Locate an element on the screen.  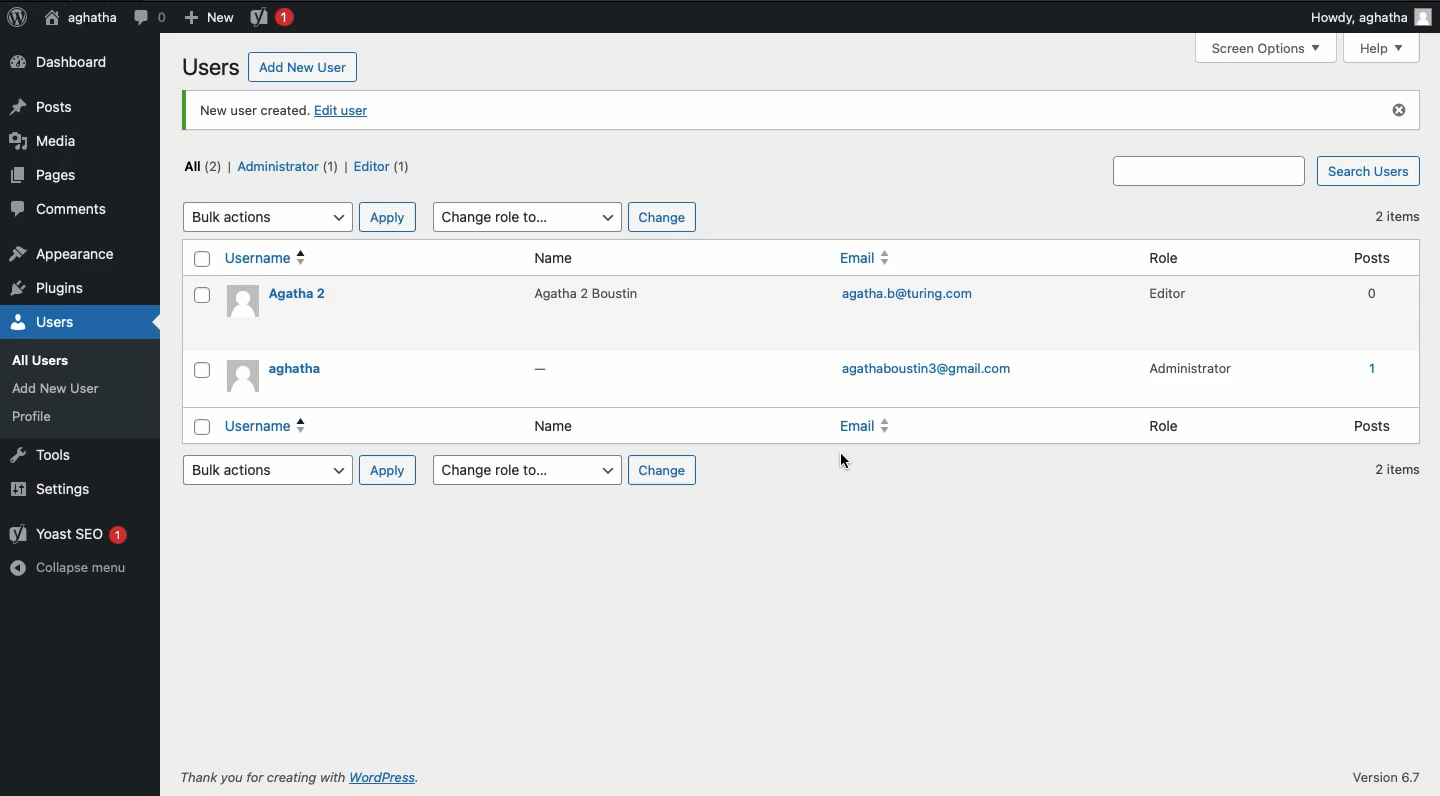
Thank you for creating with is located at coordinates (261, 776).